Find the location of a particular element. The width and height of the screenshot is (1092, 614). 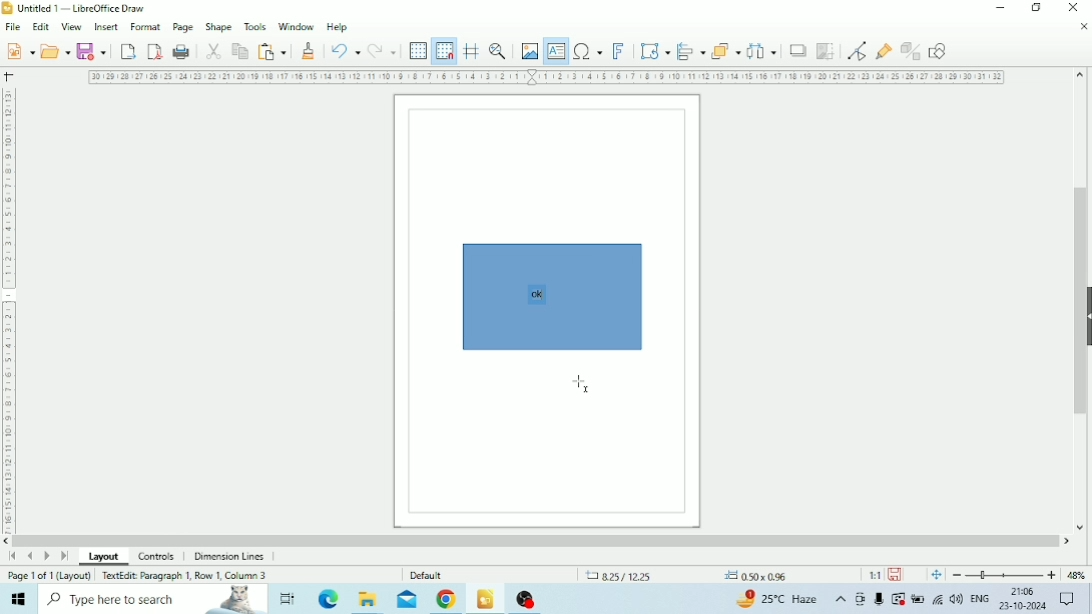

Helplines while moving is located at coordinates (471, 51).